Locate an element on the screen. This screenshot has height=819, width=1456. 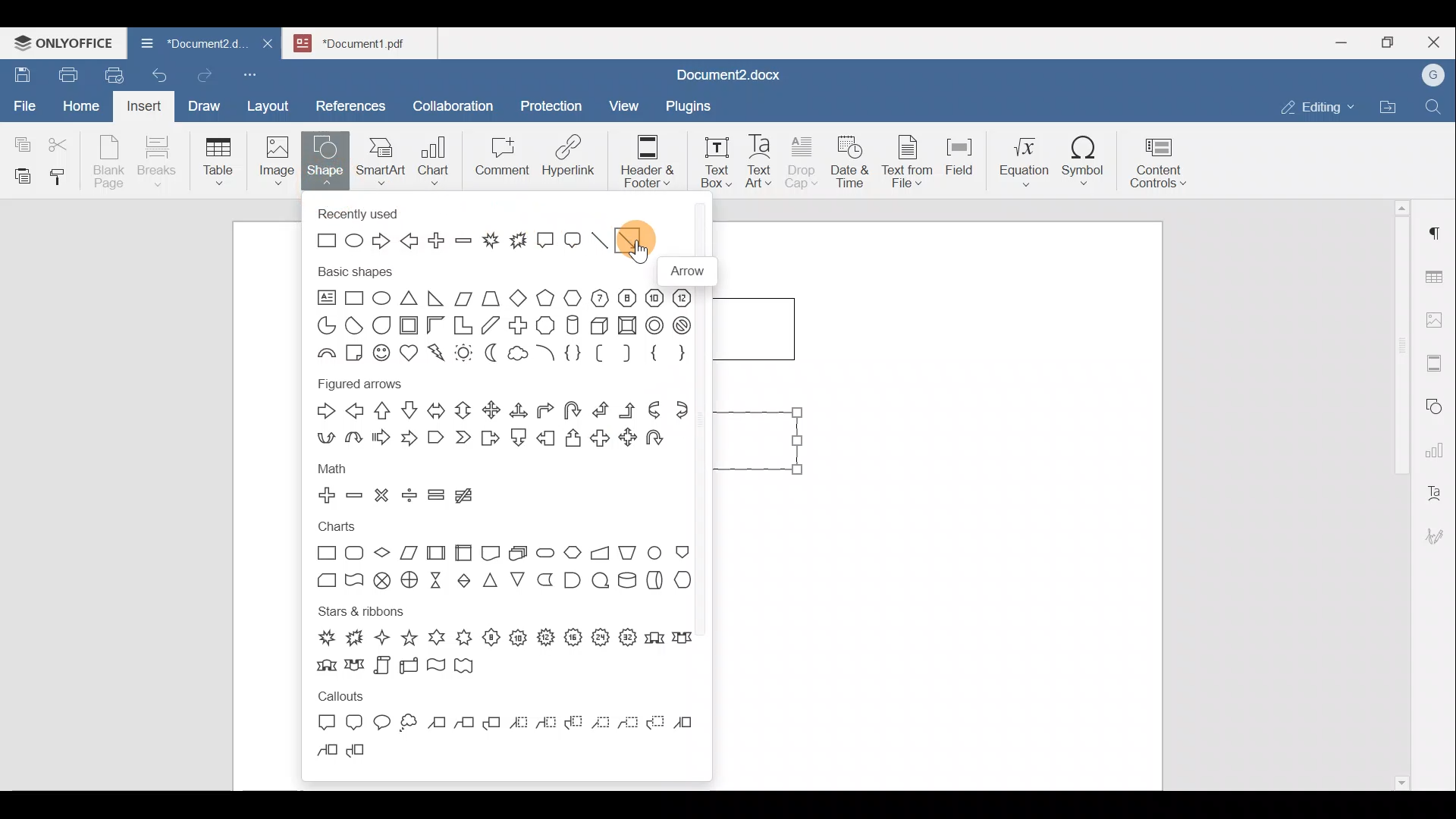
SmartArt is located at coordinates (378, 158).